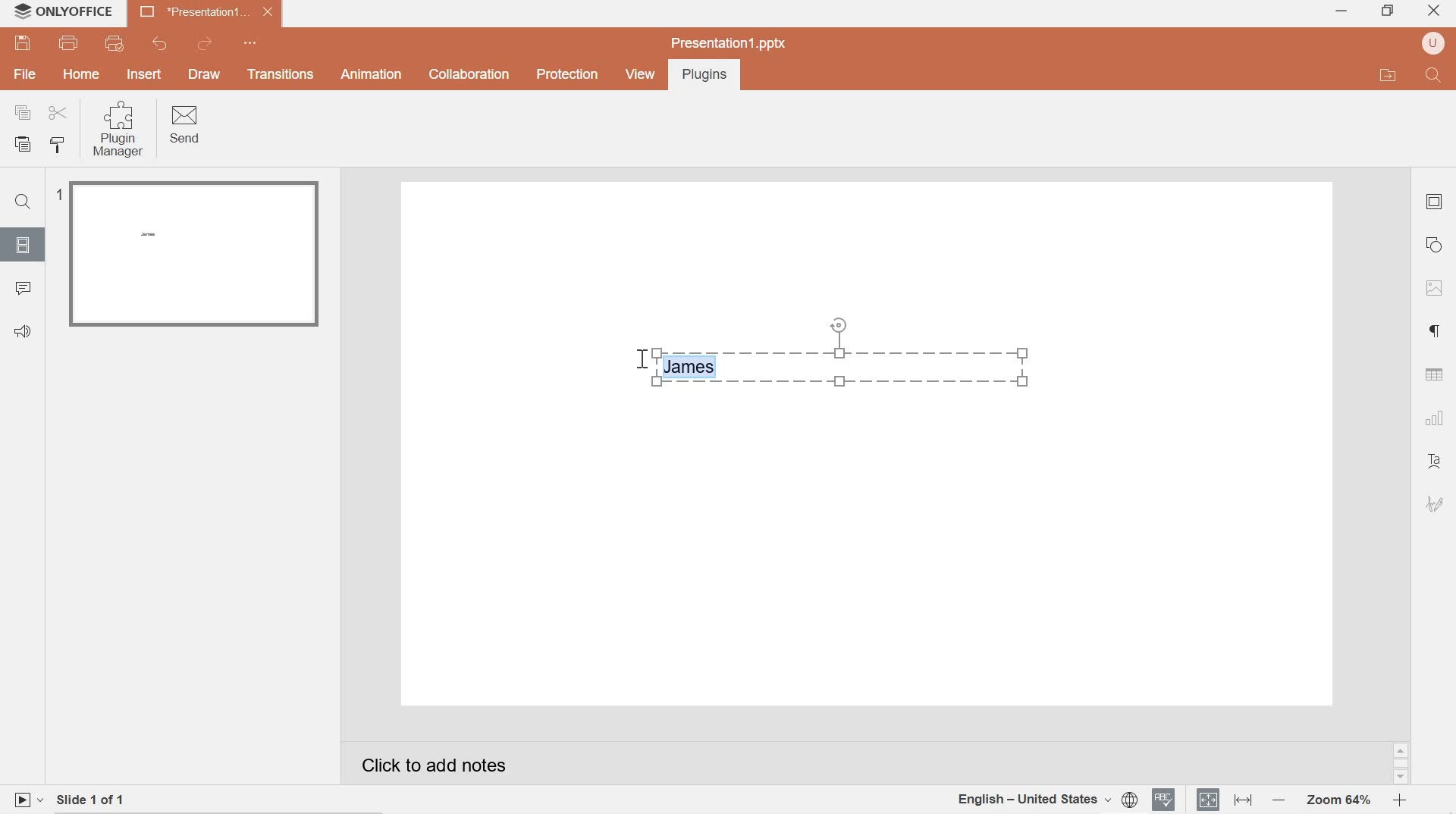 This screenshot has height=814, width=1456. Describe the element at coordinates (71, 44) in the screenshot. I see `print` at that location.